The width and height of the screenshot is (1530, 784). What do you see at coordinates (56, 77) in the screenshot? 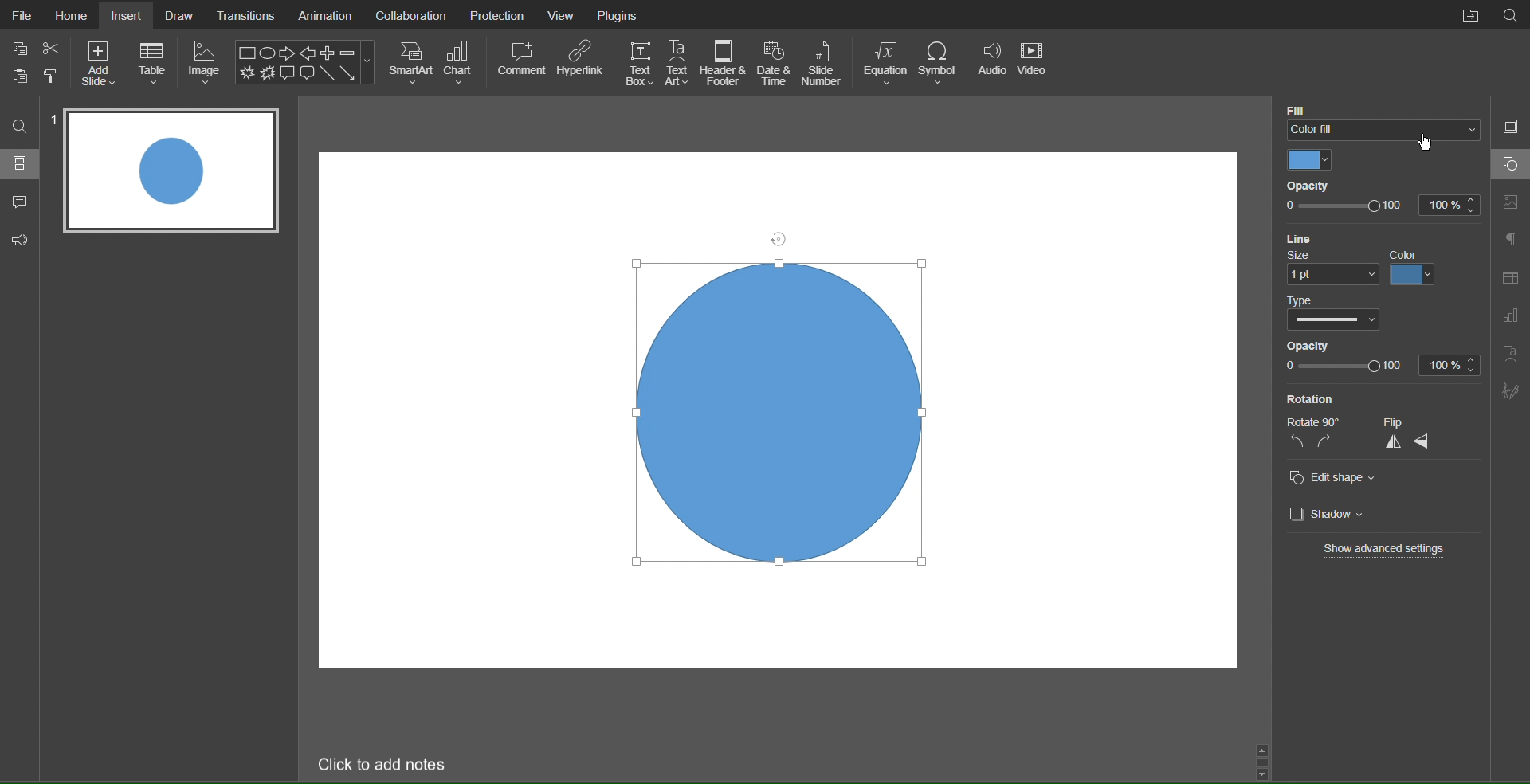
I see `format painter` at bounding box center [56, 77].